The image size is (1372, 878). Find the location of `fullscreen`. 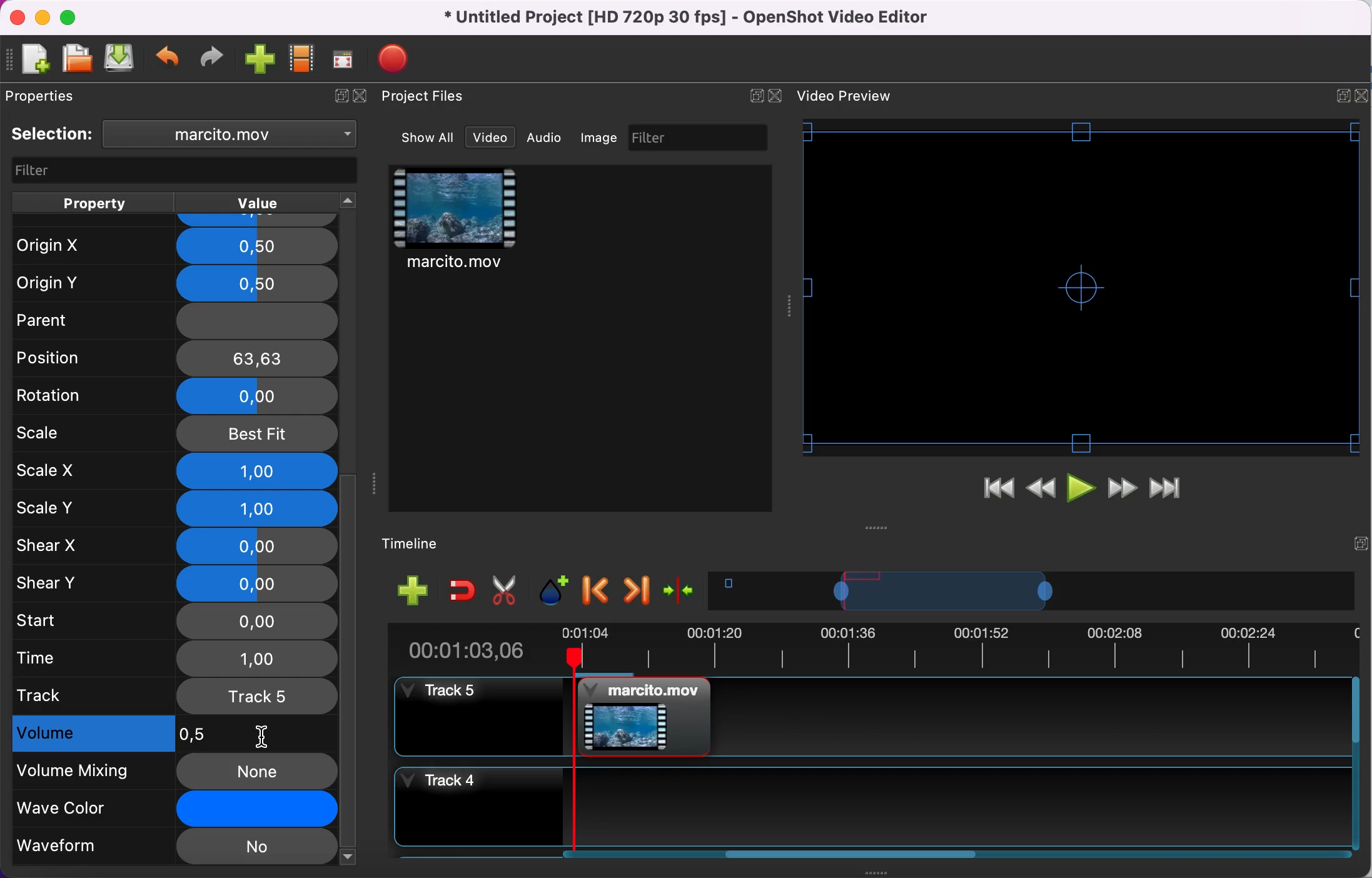

fullscreen is located at coordinates (344, 59).